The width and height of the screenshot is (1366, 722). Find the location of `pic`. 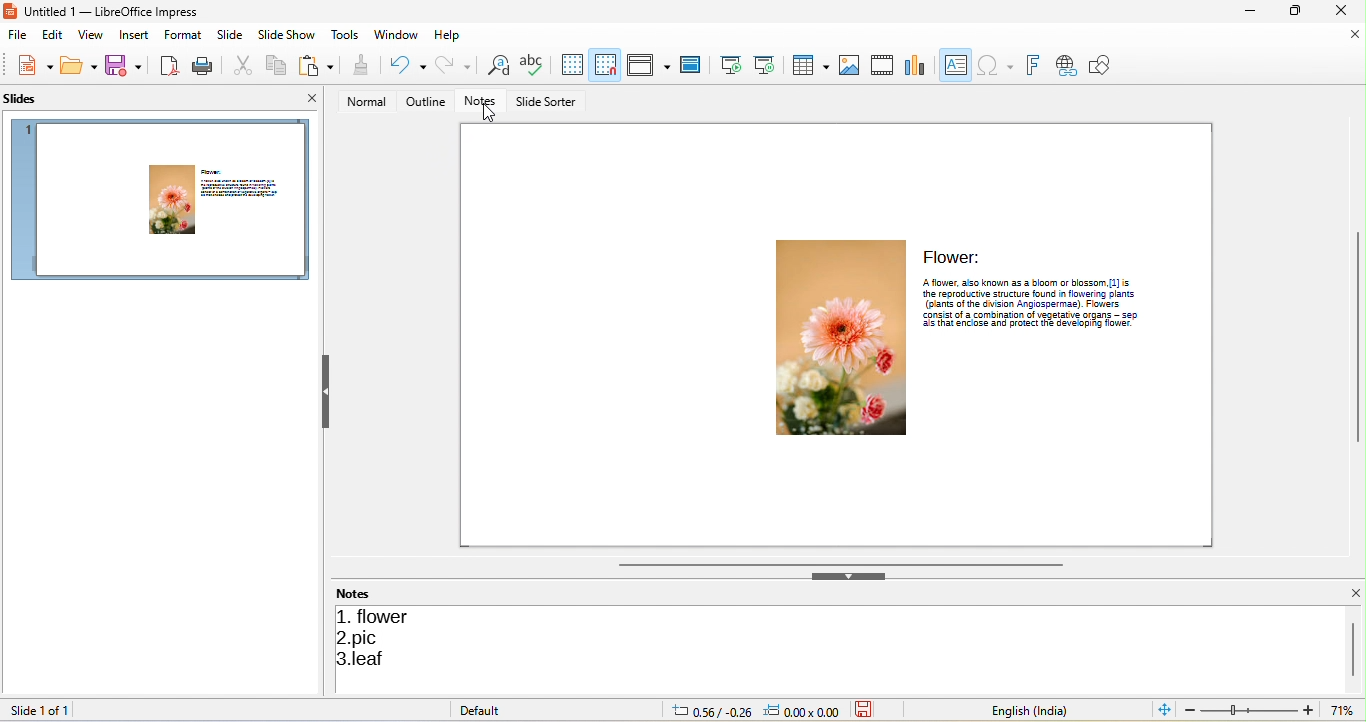

pic is located at coordinates (364, 638).